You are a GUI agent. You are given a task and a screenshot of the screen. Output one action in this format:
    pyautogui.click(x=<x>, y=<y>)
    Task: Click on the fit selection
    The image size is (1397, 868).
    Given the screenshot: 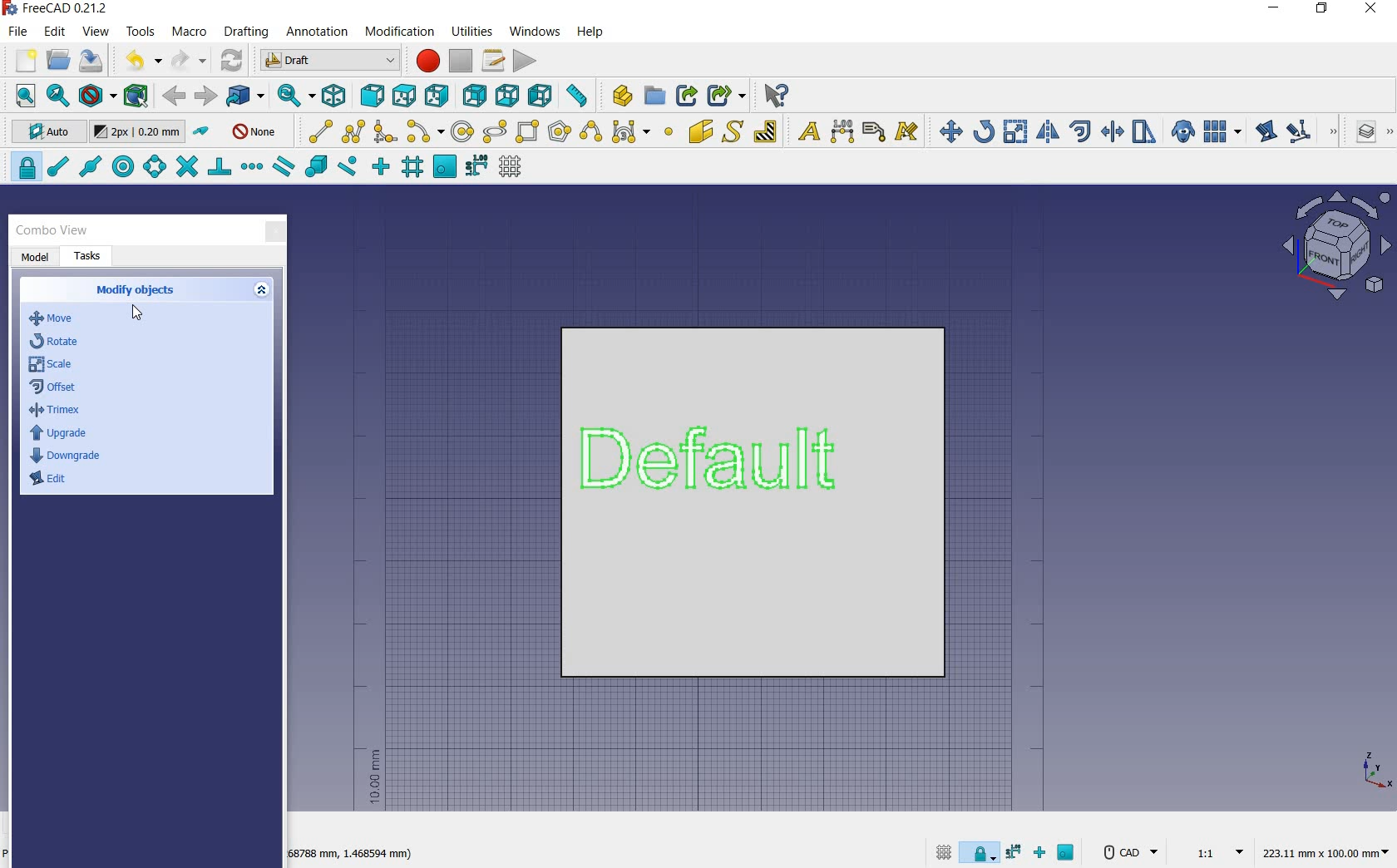 What is the action you would take?
    pyautogui.click(x=57, y=96)
    